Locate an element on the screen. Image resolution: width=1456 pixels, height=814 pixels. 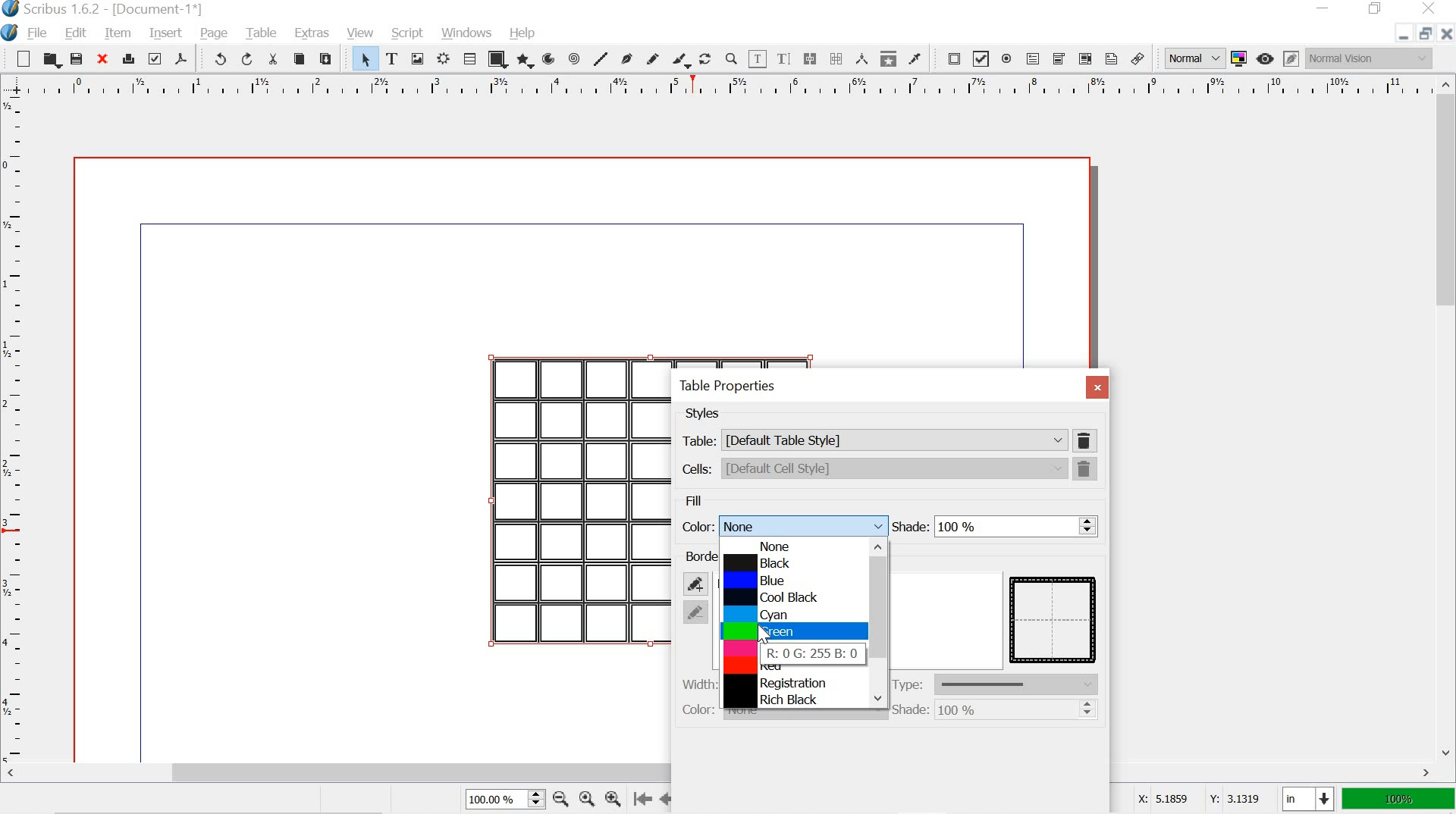
insert is located at coordinates (165, 31).